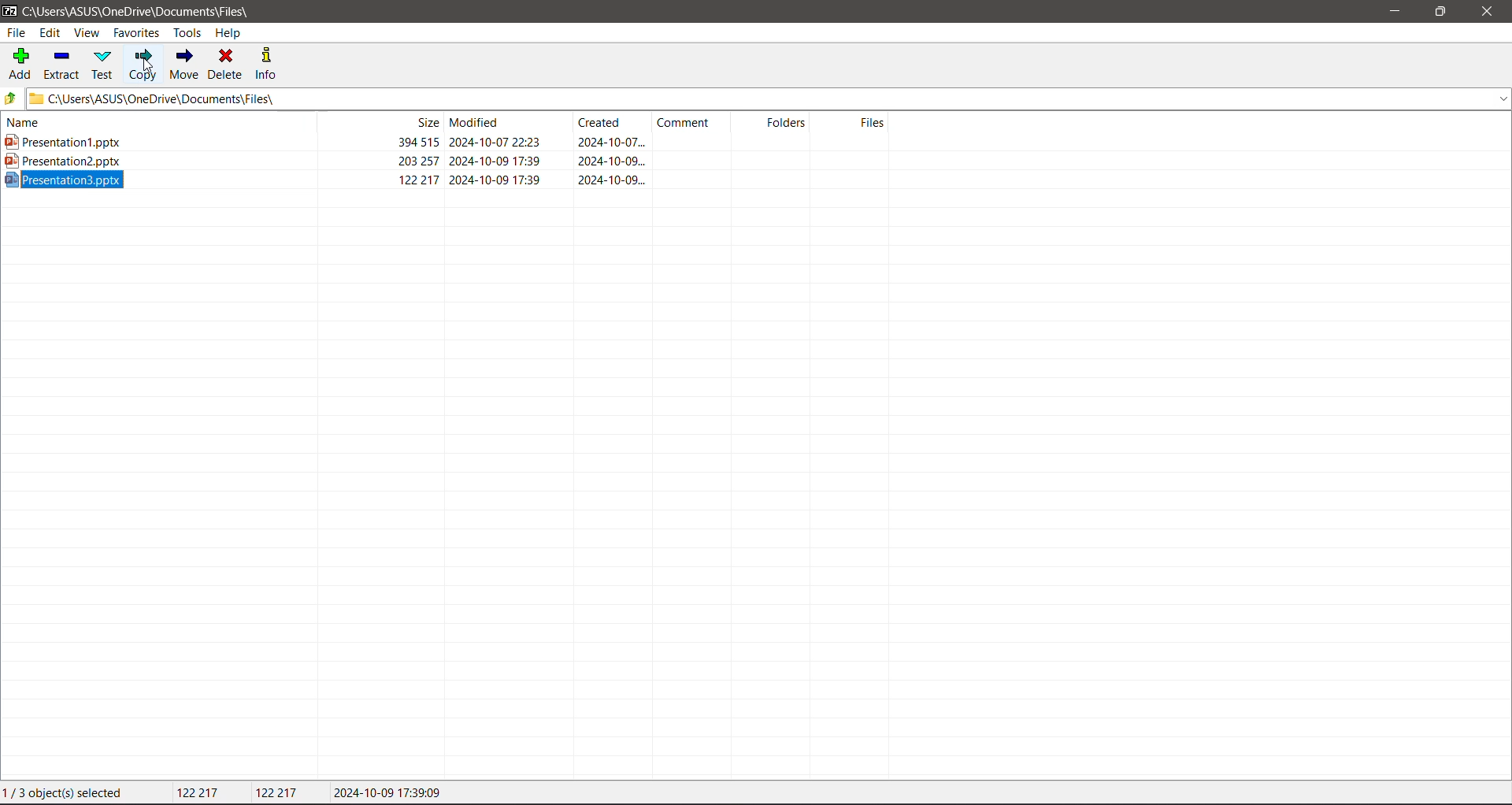  Describe the element at coordinates (1441, 10) in the screenshot. I see `Restore Down` at that location.